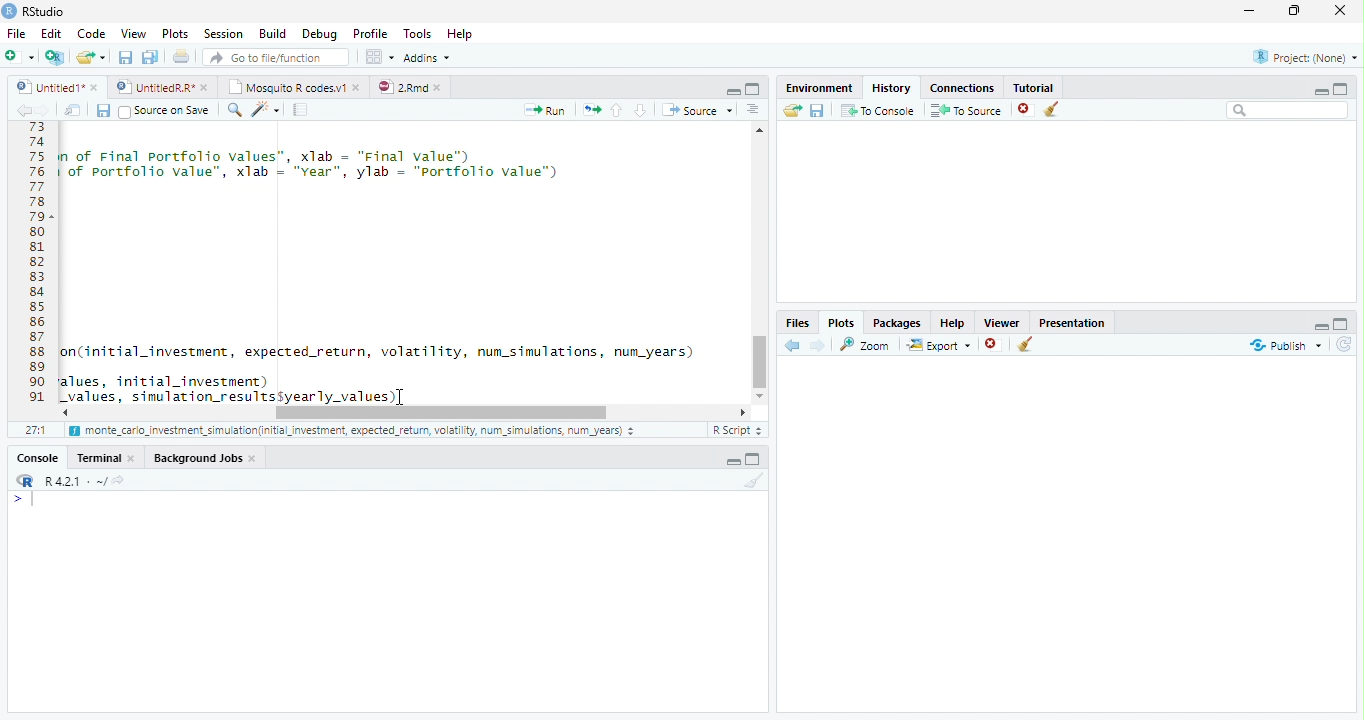 This screenshot has width=1364, height=720. What do you see at coordinates (642, 111) in the screenshot?
I see `Go to next section of code` at bounding box center [642, 111].